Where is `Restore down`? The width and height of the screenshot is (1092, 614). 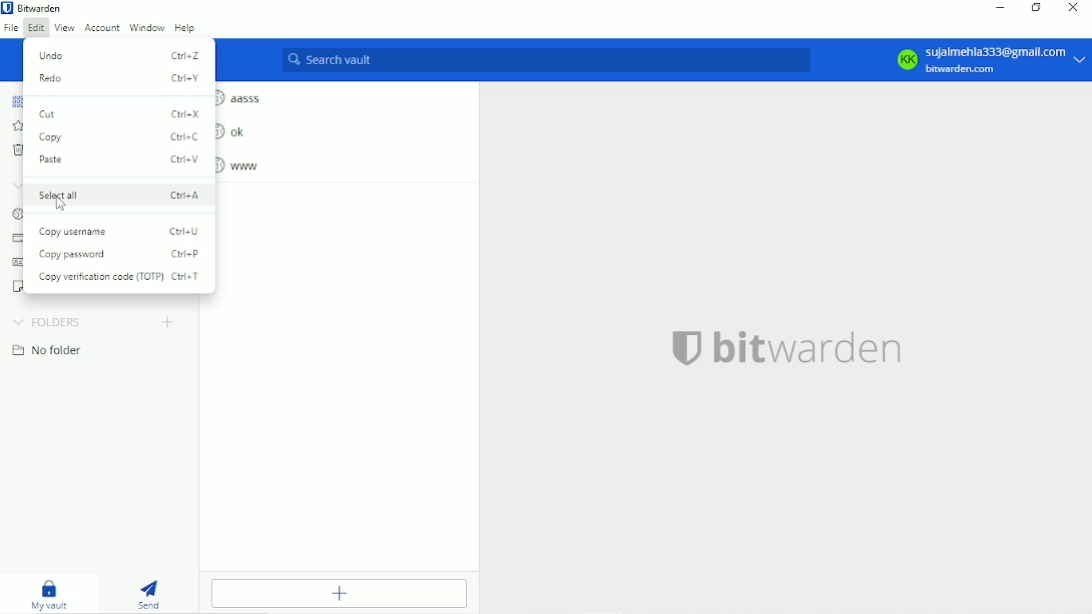
Restore down is located at coordinates (1037, 9).